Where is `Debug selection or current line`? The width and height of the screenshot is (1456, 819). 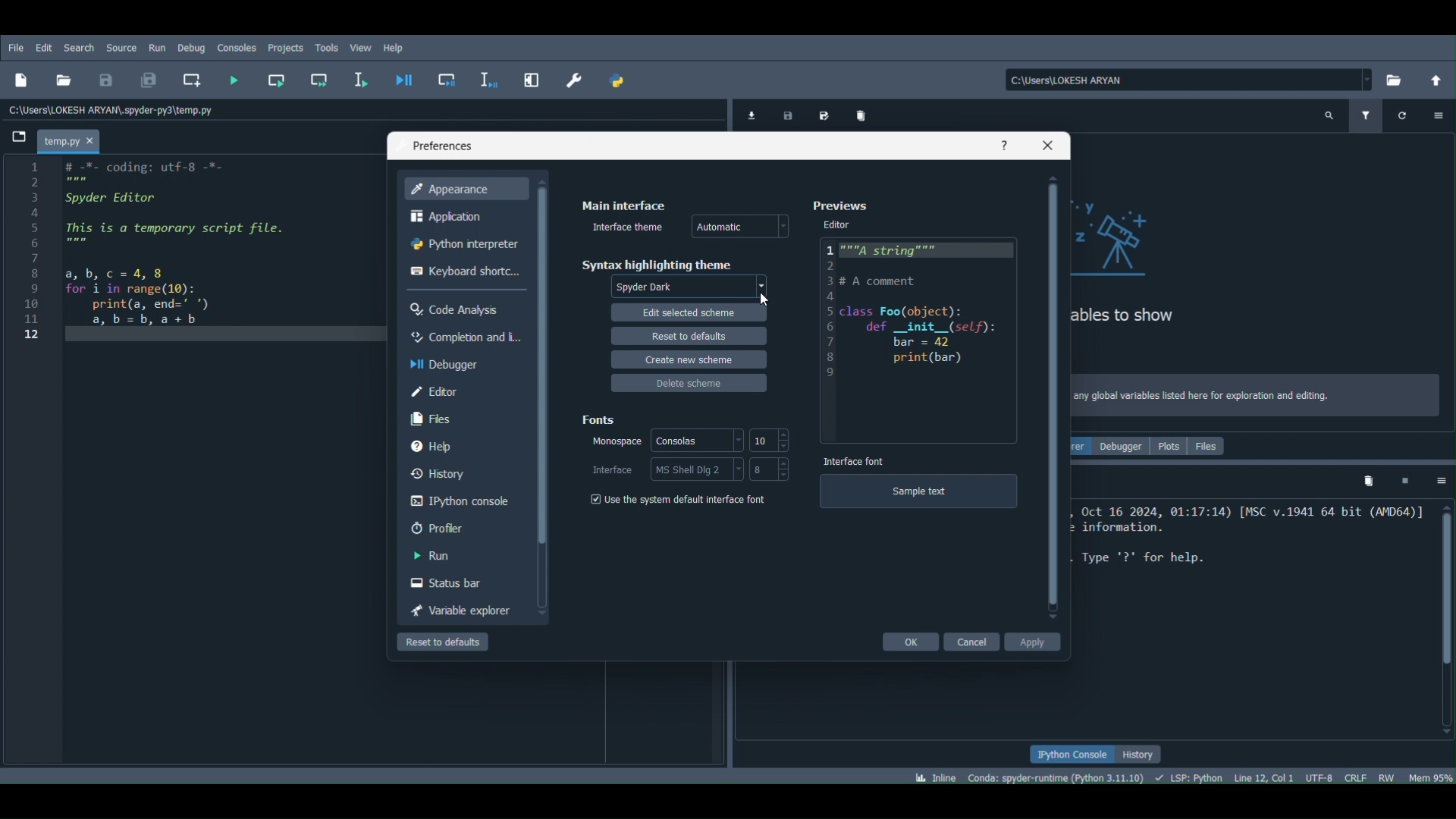
Debug selection or current line is located at coordinates (483, 77).